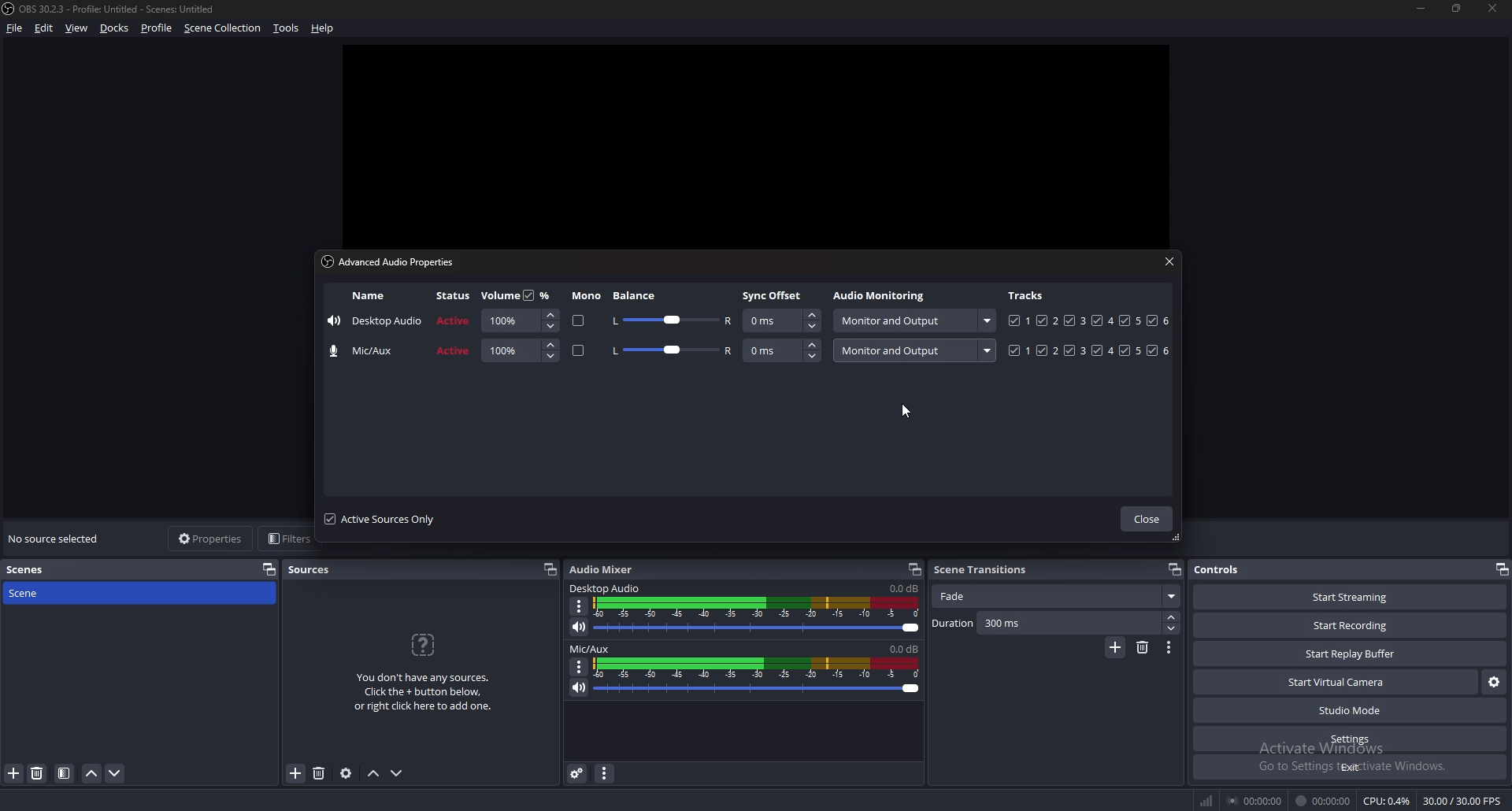 Image resolution: width=1512 pixels, height=811 pixels. I want to click on transition properties, so click(1169, 649).